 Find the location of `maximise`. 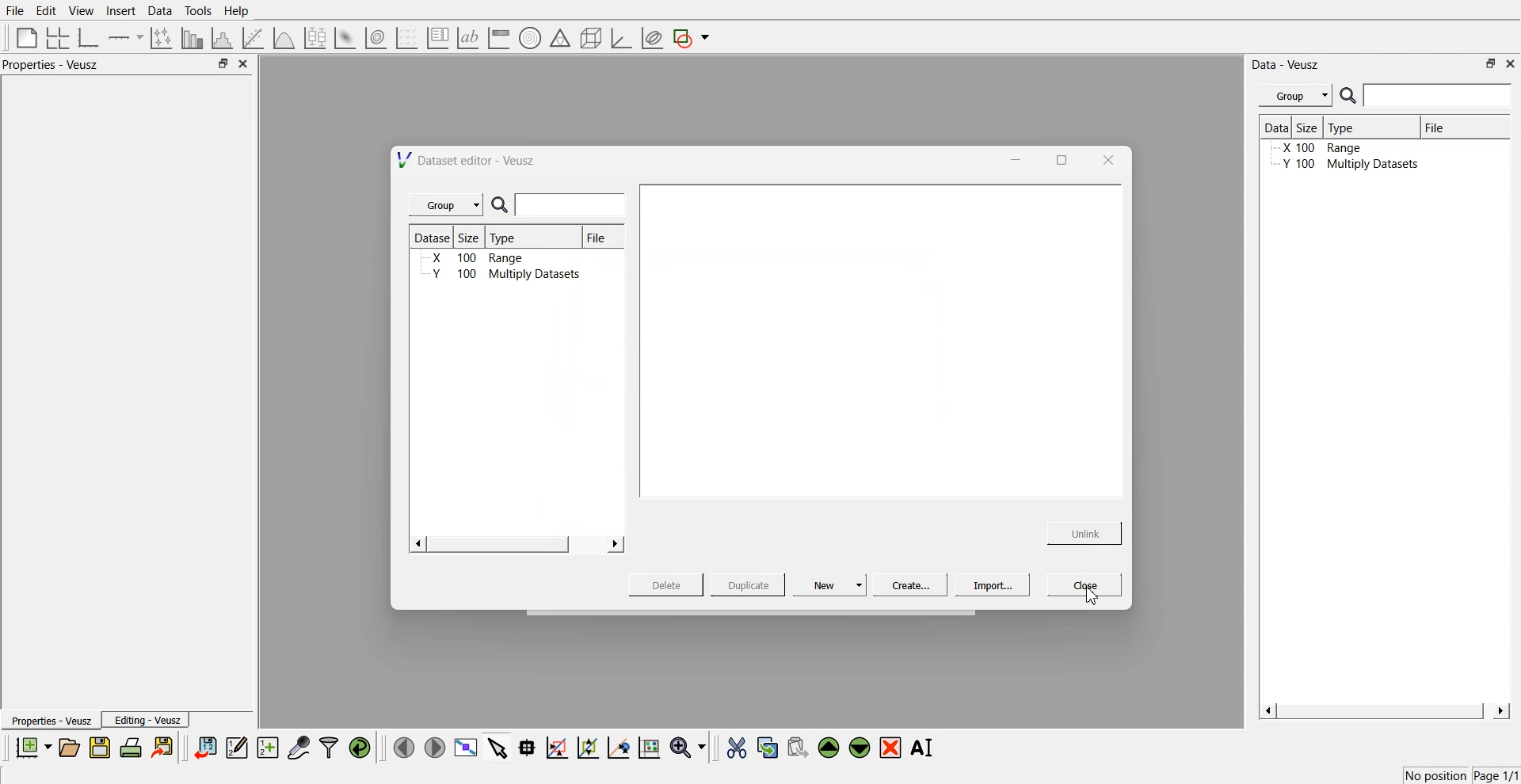

maximise is located at coordinates (1057, 158).